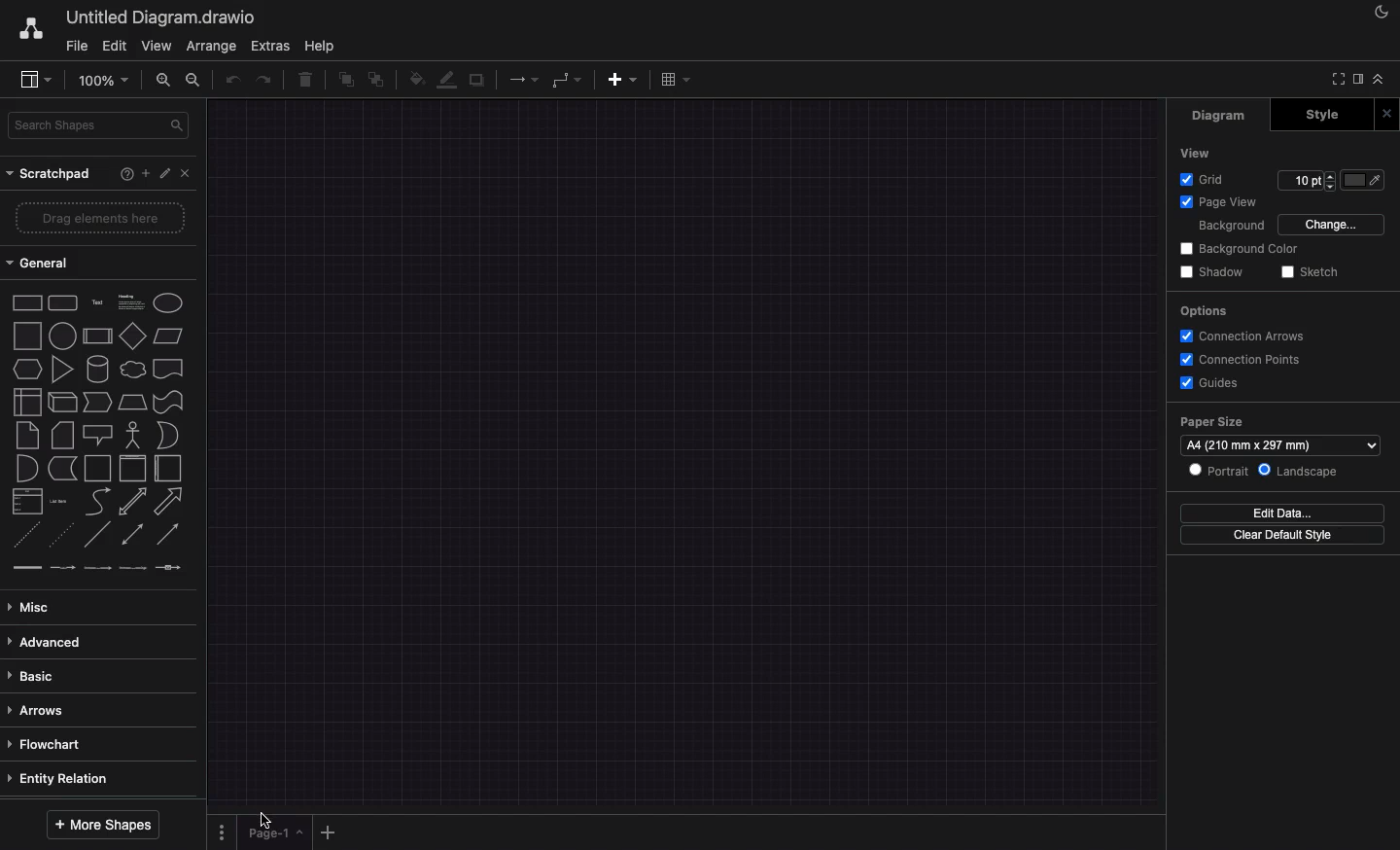 Image resolution: width=1400 pixels, height=850 pixels. Describe the element at coordinates (1216, 472) in the screenshot. I see `portrait` at that location.